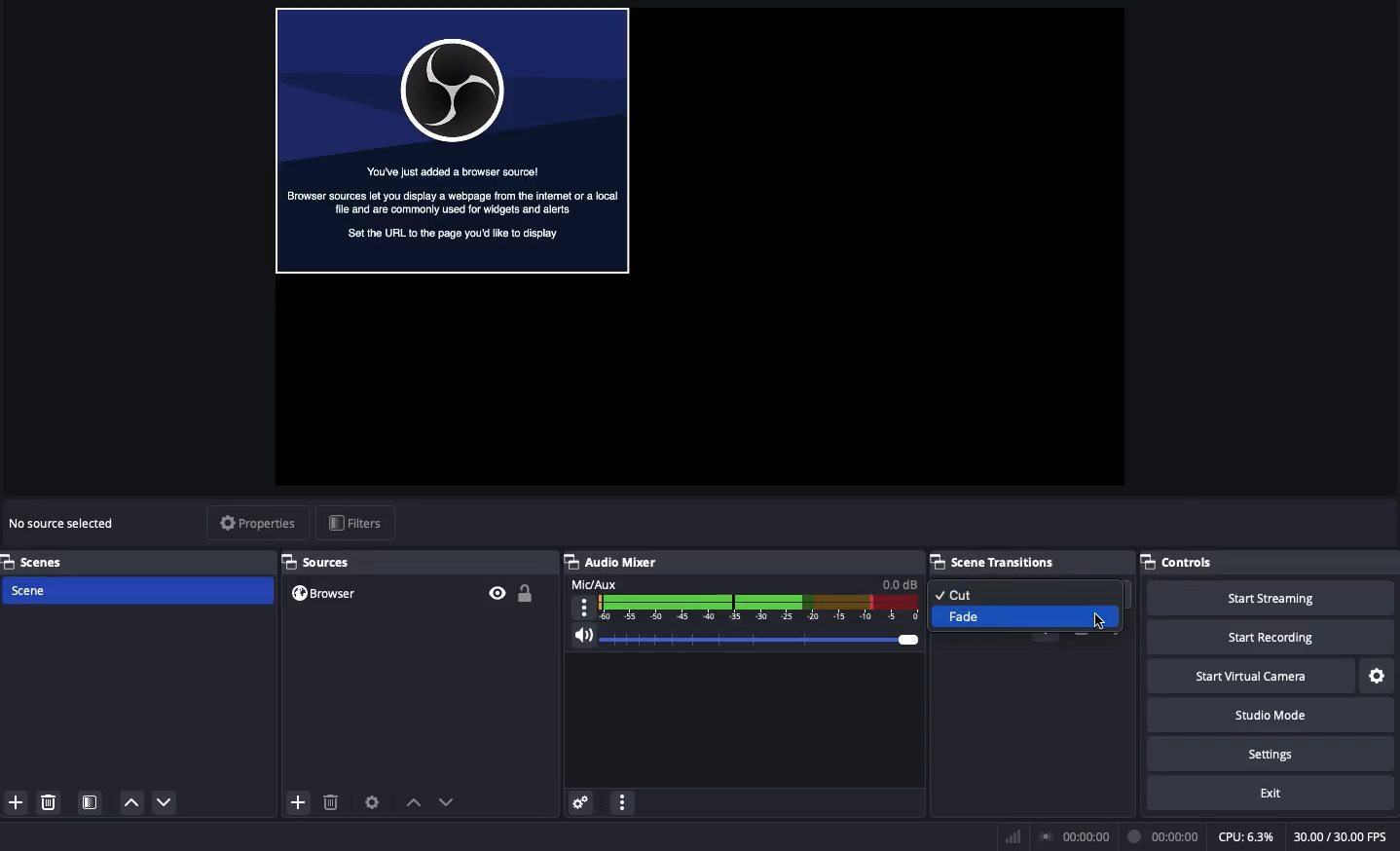 The width and height of the screenshot is (1400, 851). What do you see at coordinates (1259, 639) in the screenshot?
I see `Start recording` at bounding box center [1259, 639].